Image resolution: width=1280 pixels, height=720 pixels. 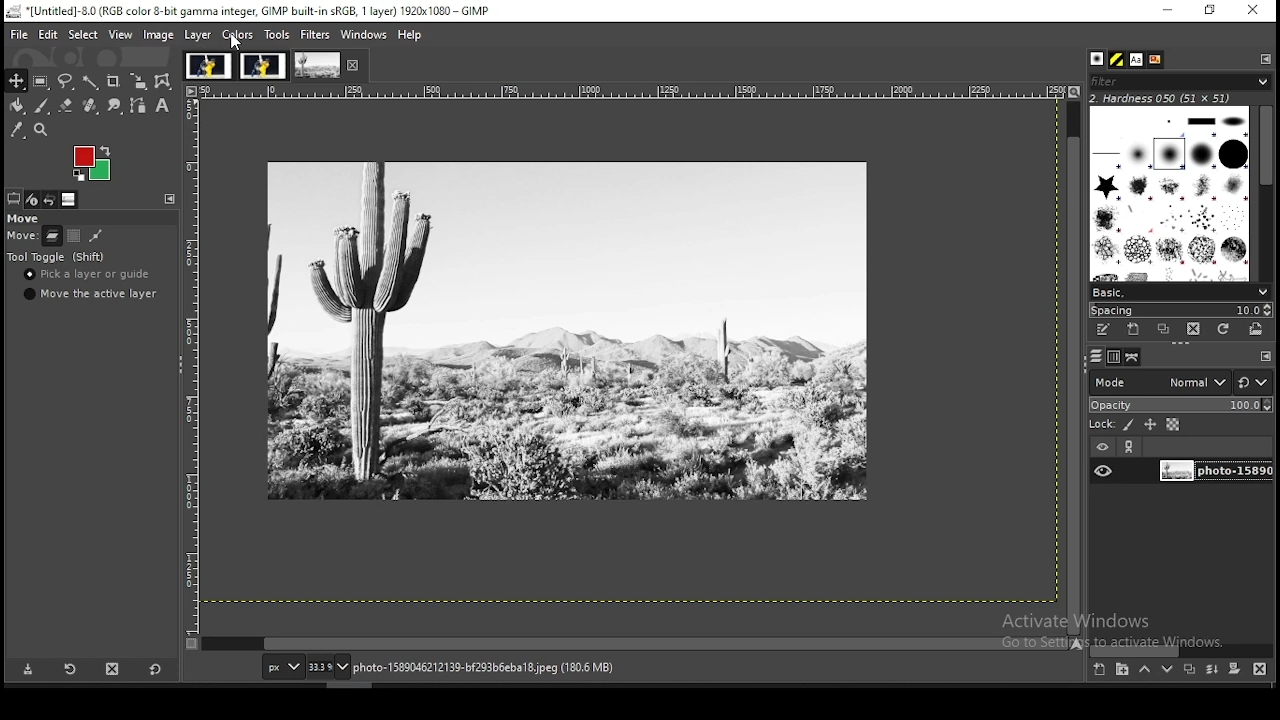 I want to click on paint brush tool, so click(x=43, y=106).